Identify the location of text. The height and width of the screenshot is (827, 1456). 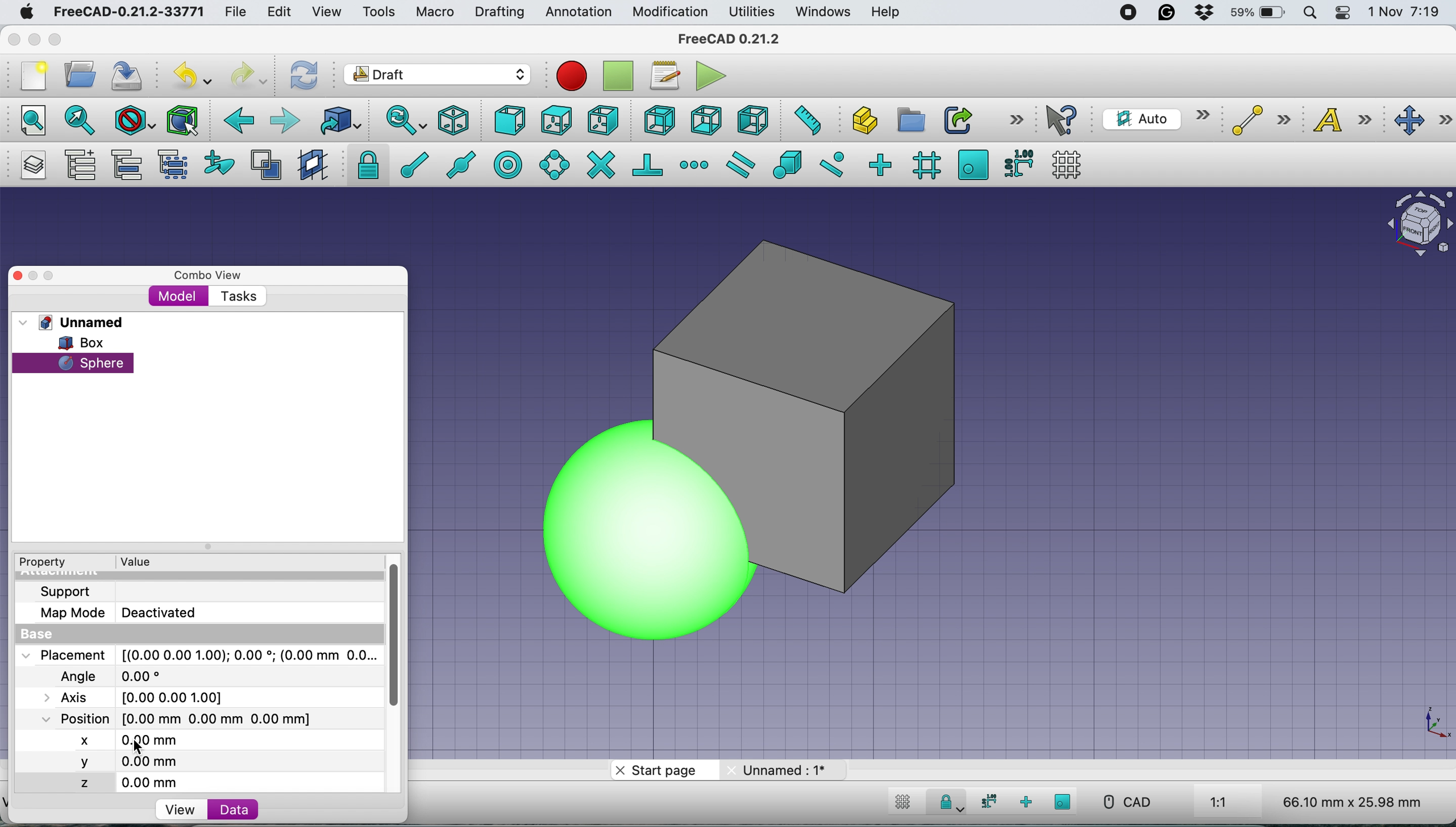
(1349, 119).